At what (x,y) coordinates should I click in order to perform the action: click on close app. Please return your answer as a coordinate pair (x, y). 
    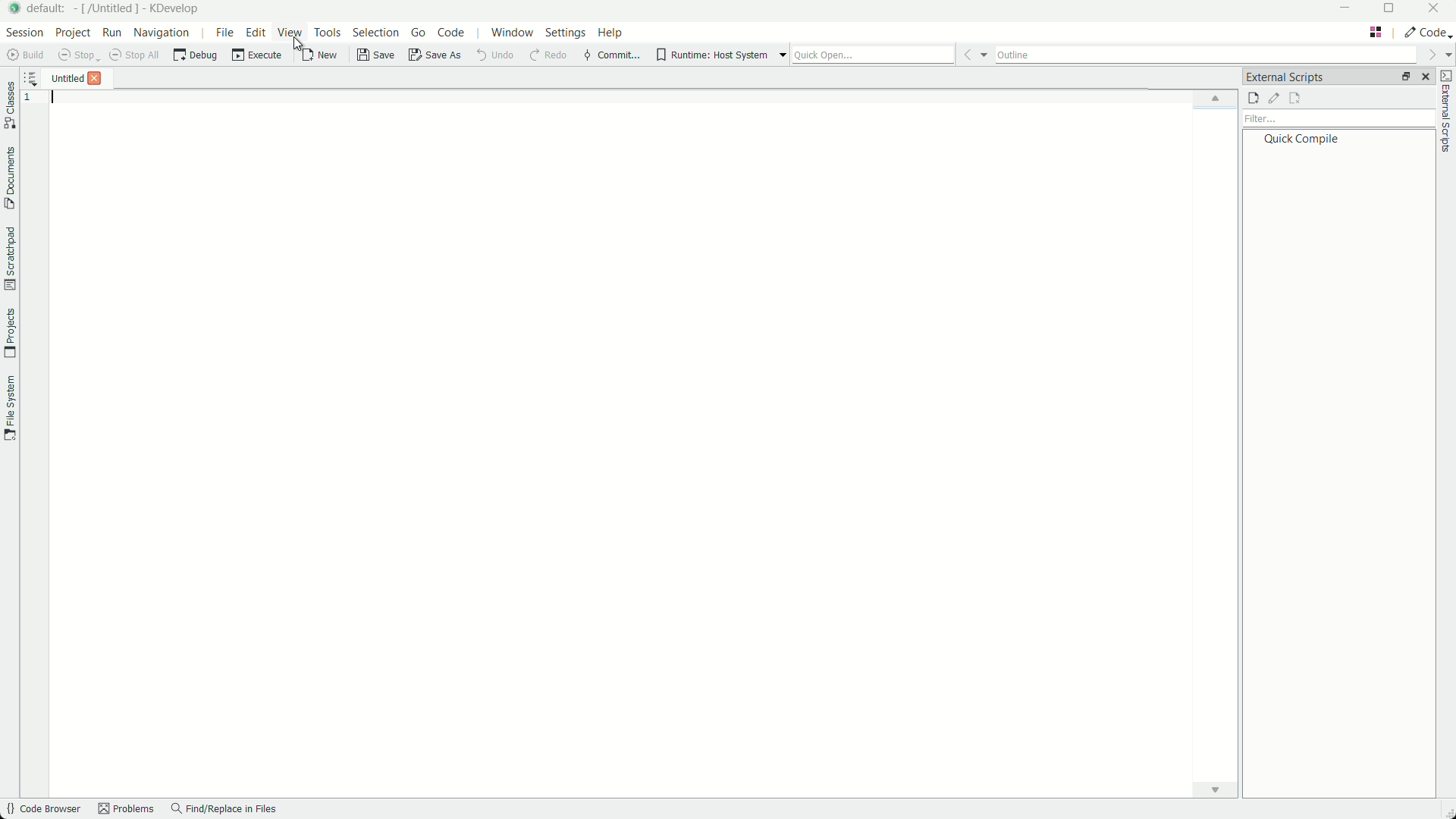
    Looking at the image, I should click on (1437, 12).